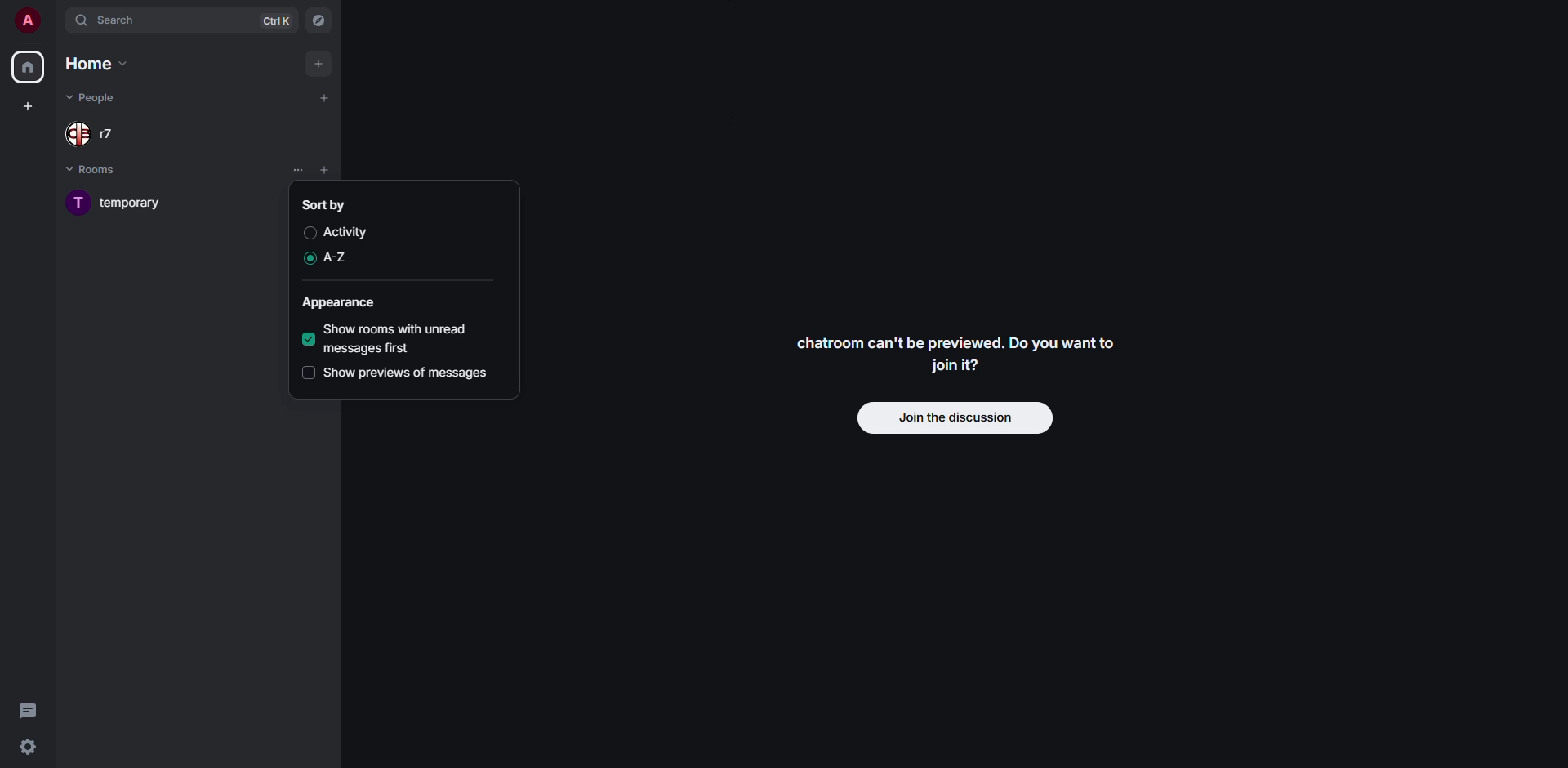  Describe the element at coordinates (98, 132) in the screenshot. I see `people` at that location.